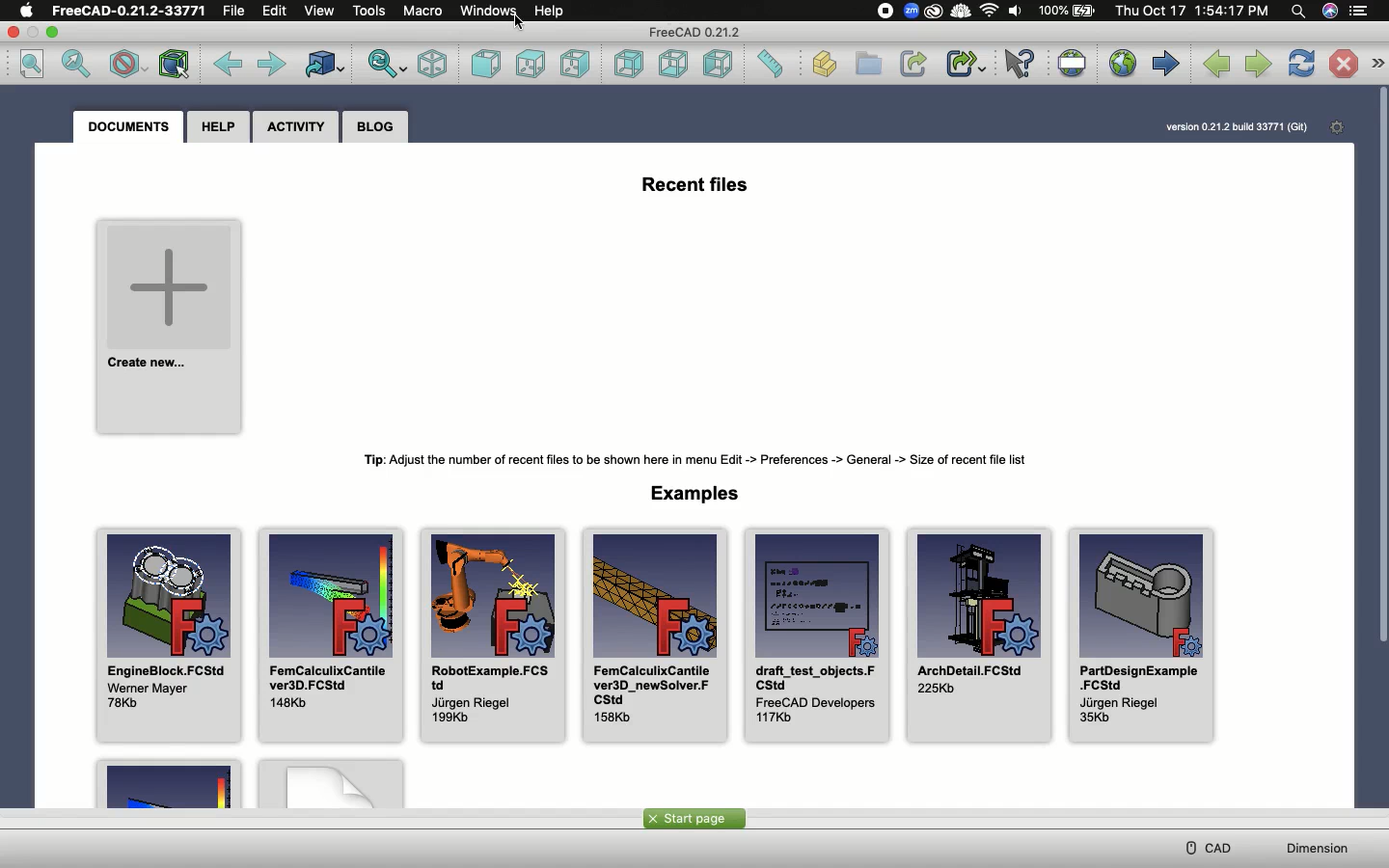 This screenshot has height=868, width=1389. What do you see at coordinates (1297, 12) in the screenshot?
I see `Search` at bounding box center [1297, 12].